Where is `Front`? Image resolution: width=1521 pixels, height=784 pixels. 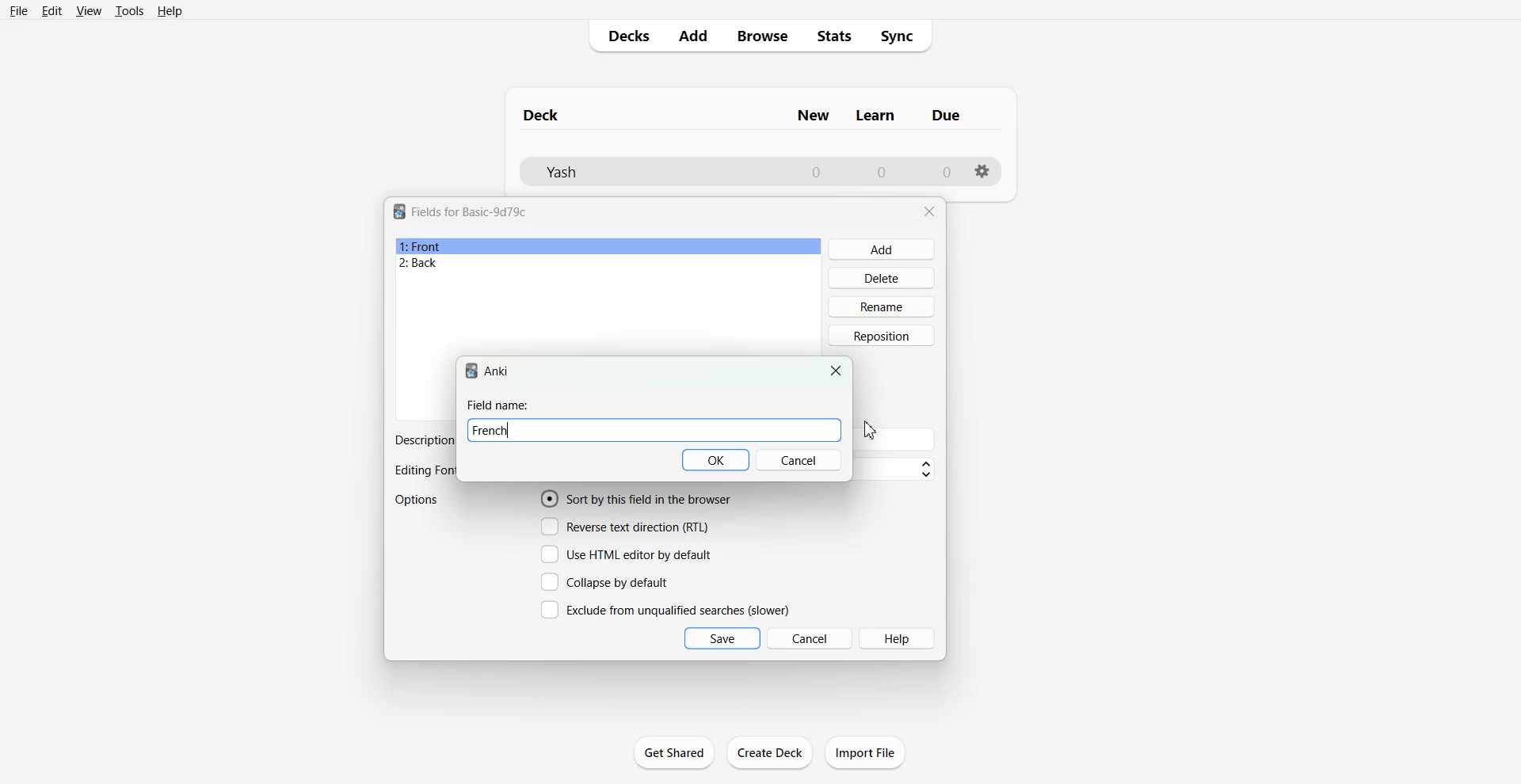
Front is located at coordinates (608, 246).